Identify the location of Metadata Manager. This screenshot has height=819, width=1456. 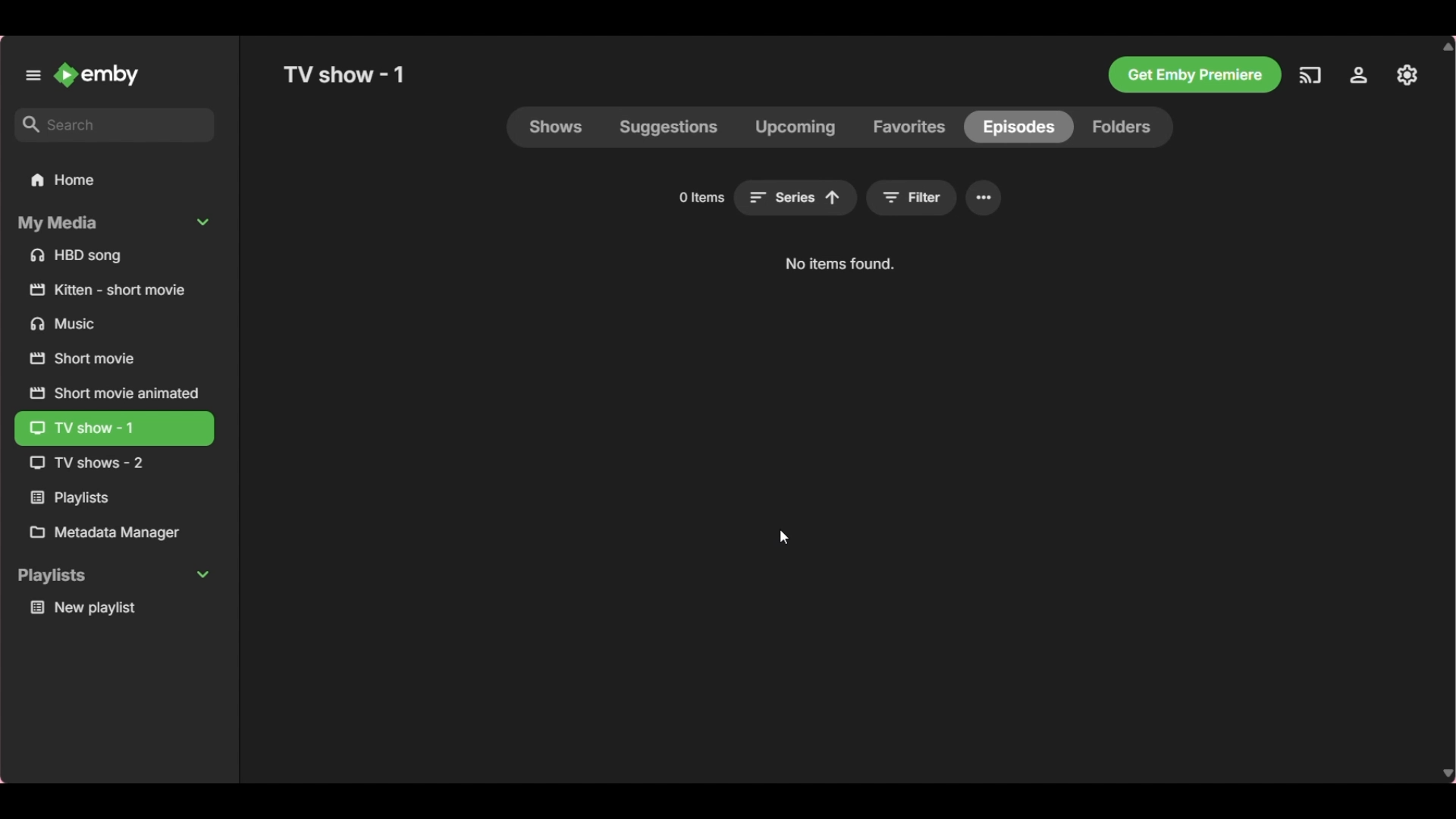
(114, 532).